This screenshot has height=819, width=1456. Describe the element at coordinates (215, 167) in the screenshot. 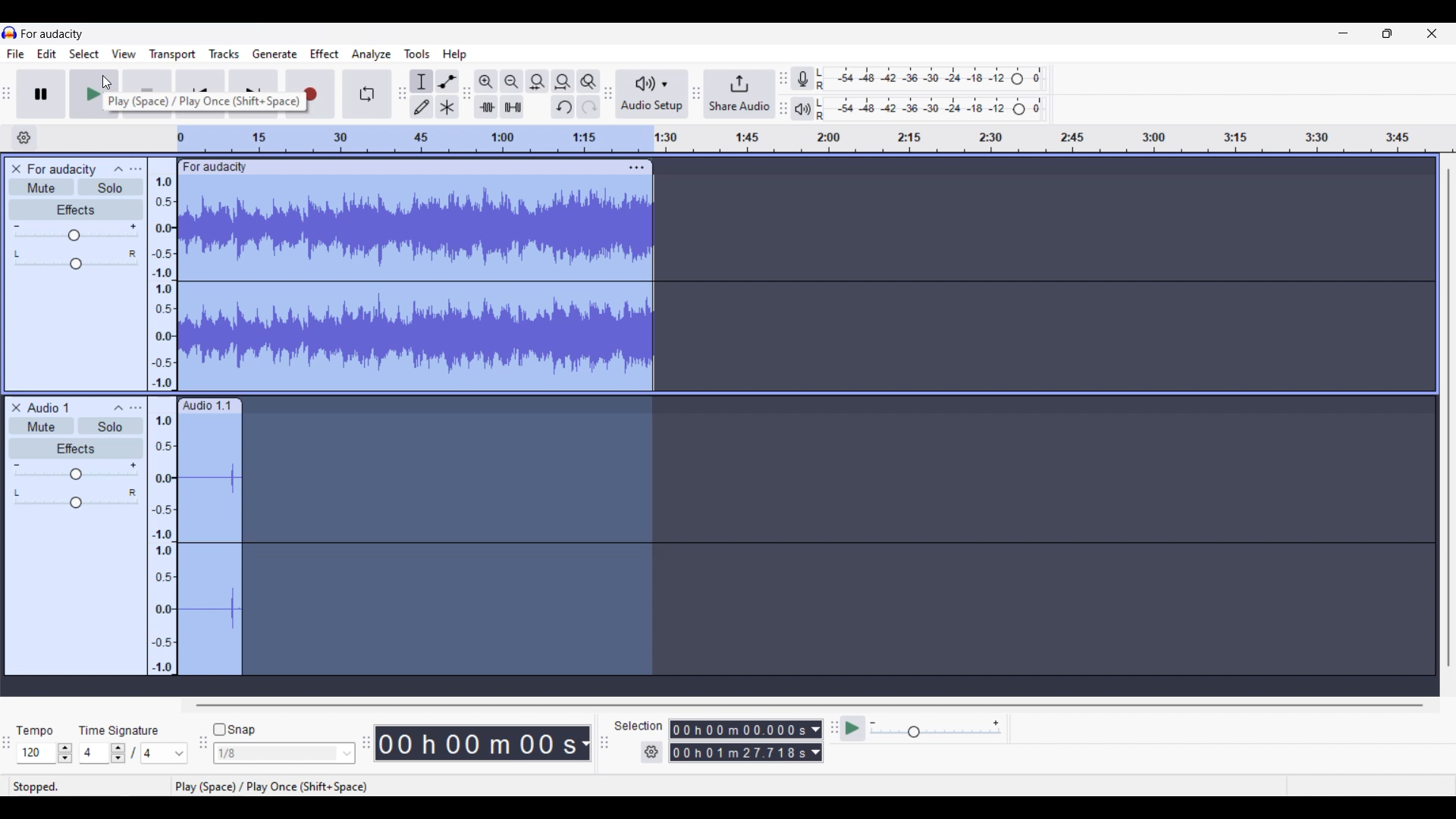

I see `for audacity` at that location.